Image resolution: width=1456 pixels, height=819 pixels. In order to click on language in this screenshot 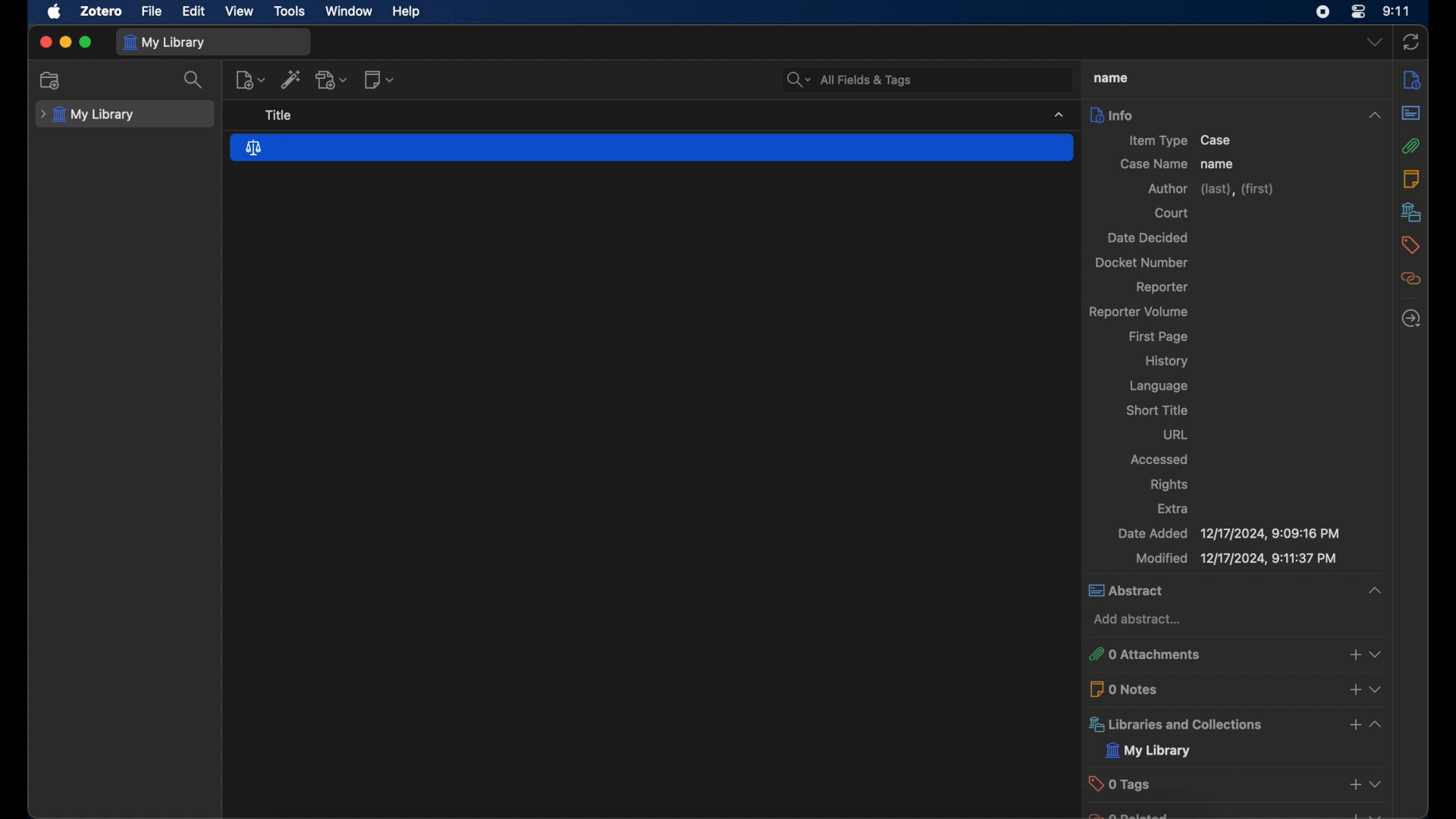, I will do `click(1161, 387)`.